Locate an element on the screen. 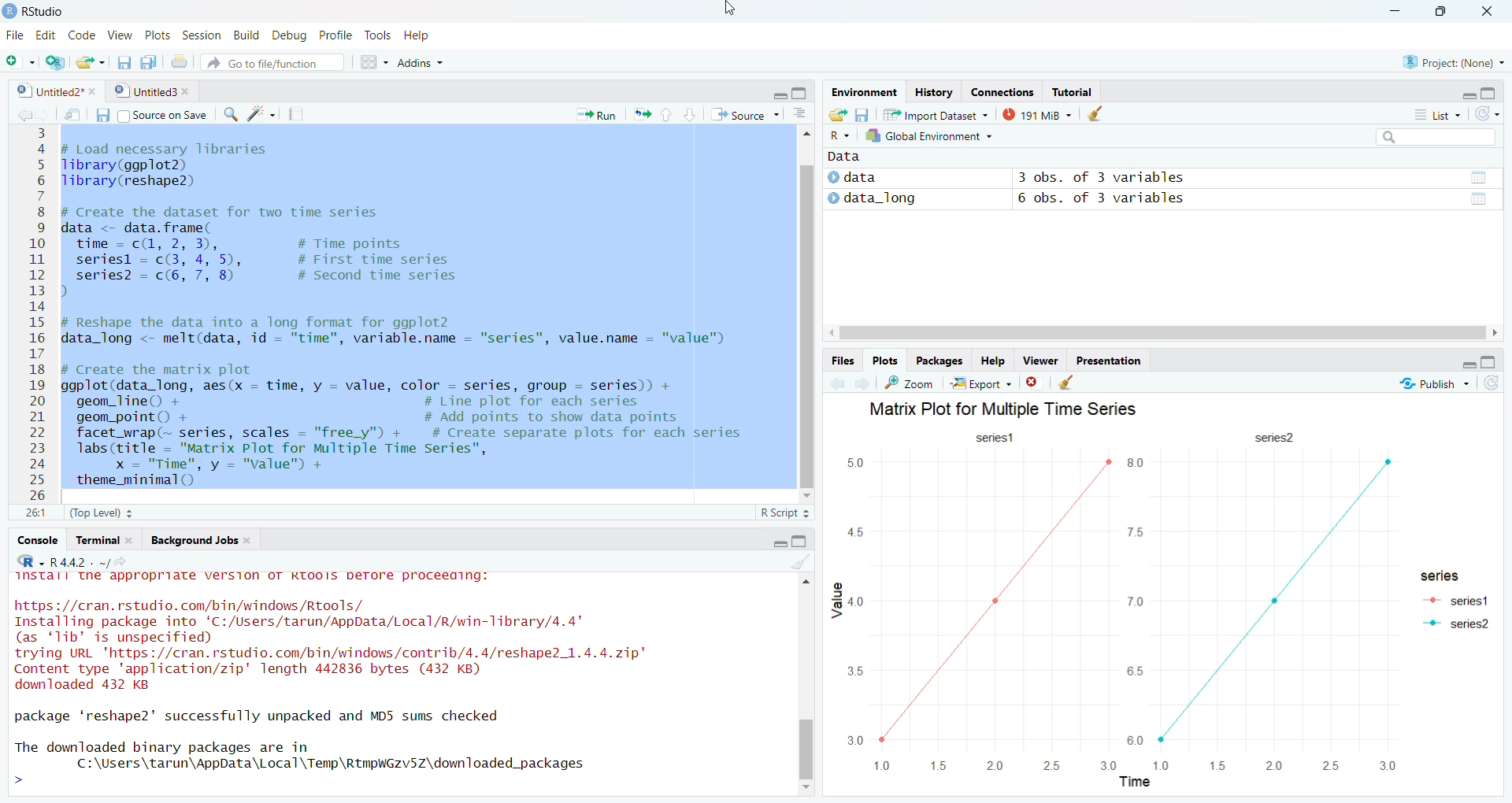 This screenshot has width=1512, height=803. Source on Save is located at coordinates (151, 114).